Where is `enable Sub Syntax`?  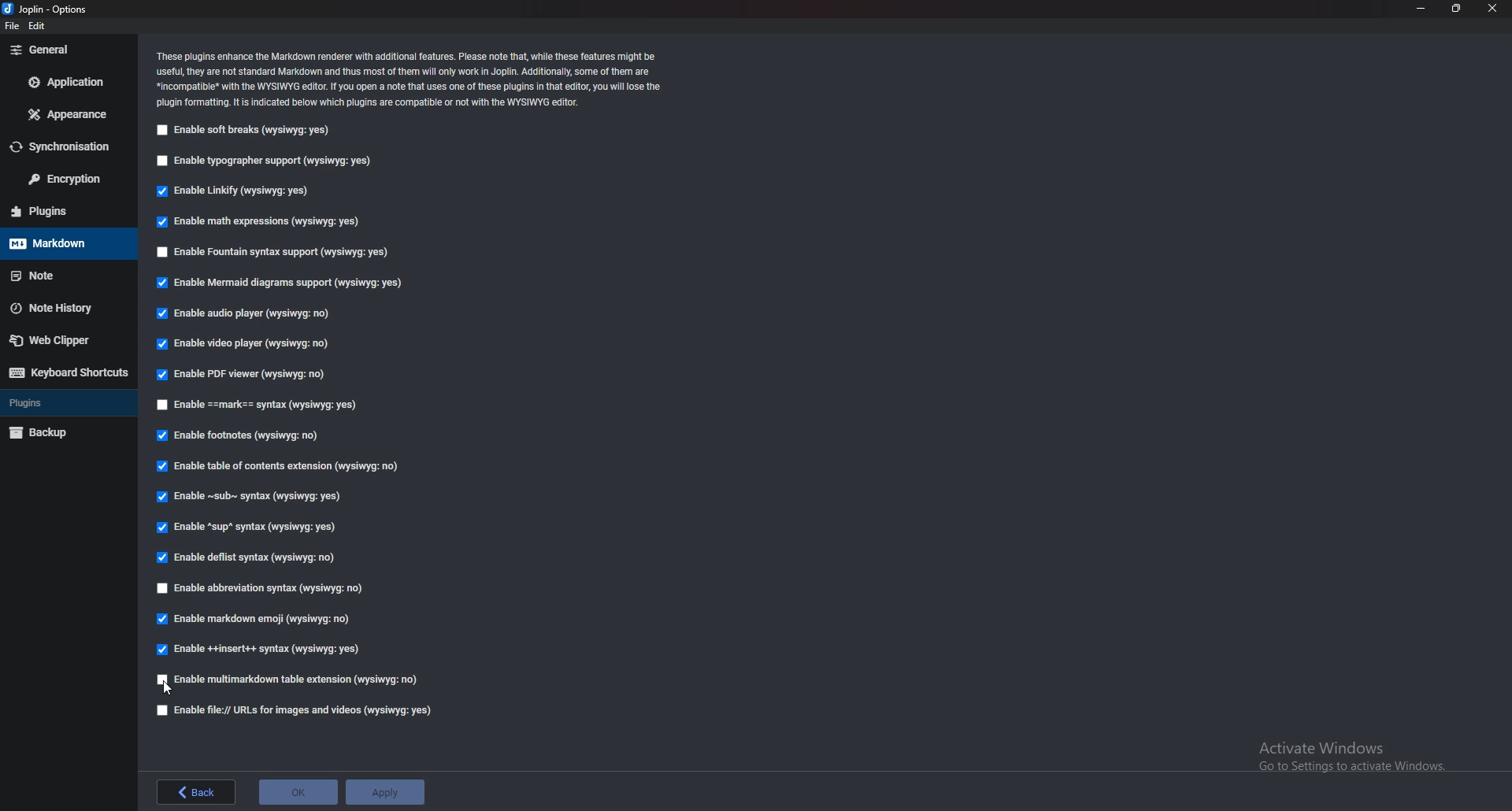
enable Sub Syntax is located at coordinates (258, 498).